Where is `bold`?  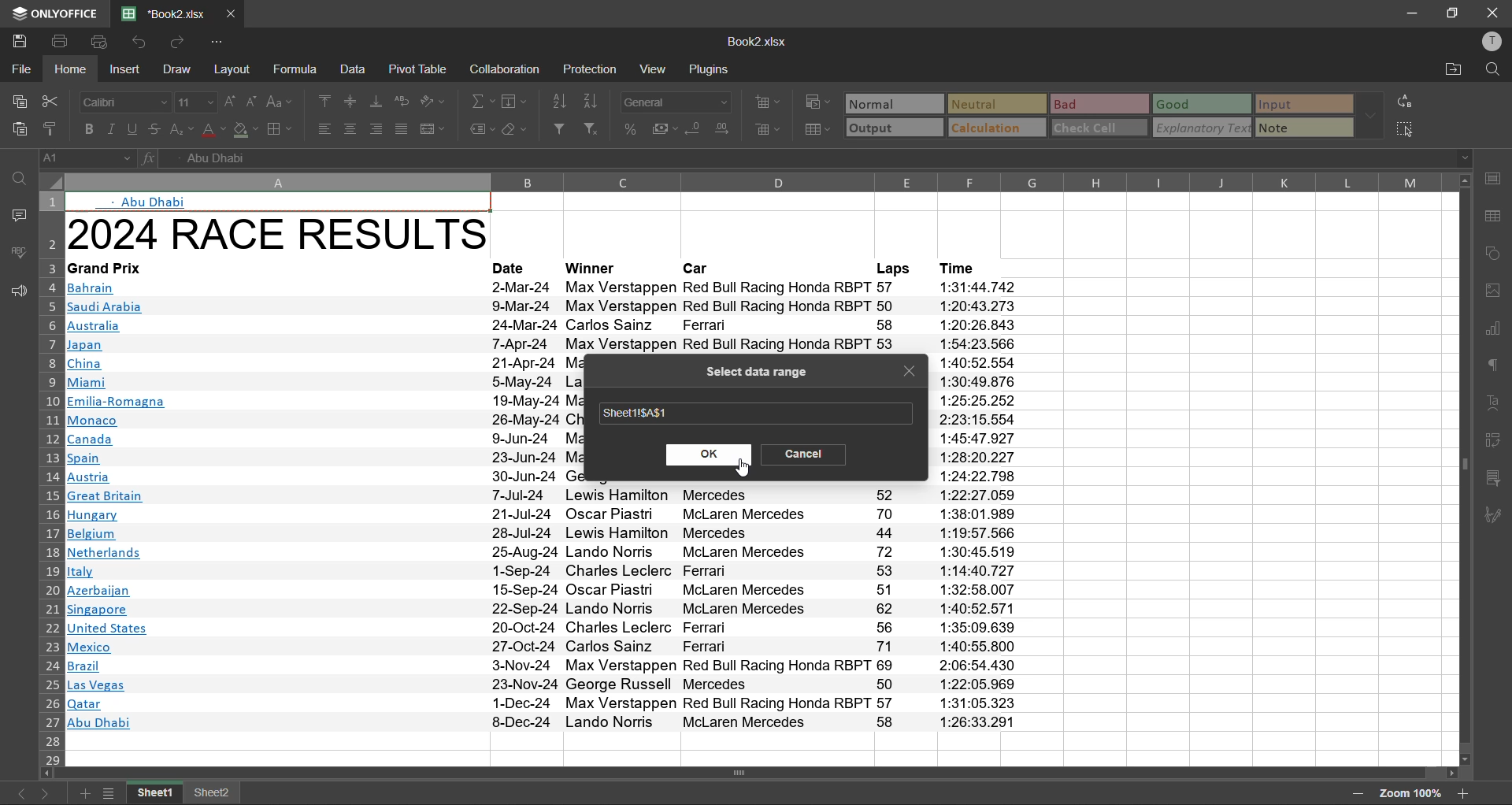 bold is located at coordinates (87, 129).